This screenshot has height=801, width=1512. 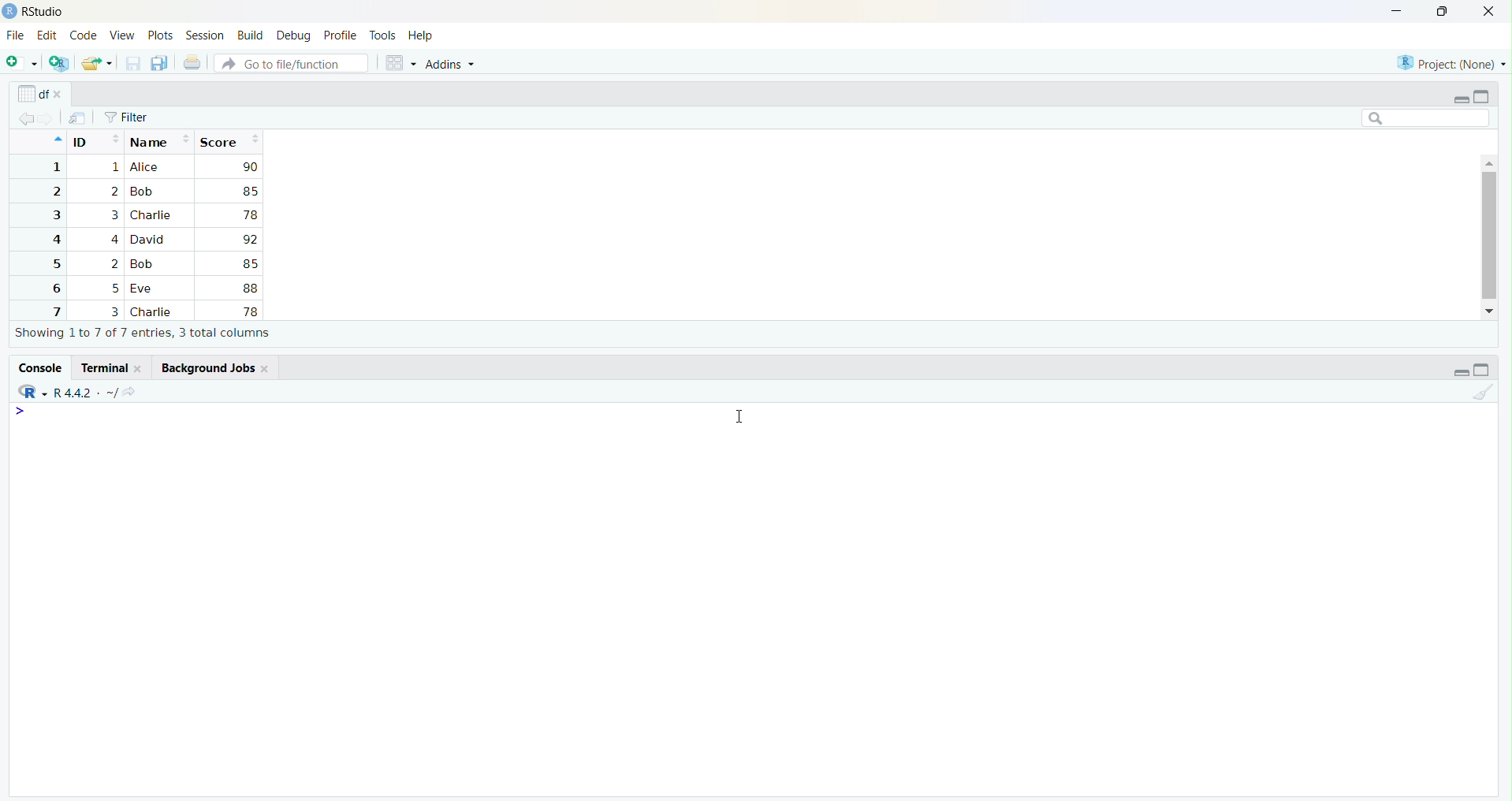 I want to click on File, so click(x=15, y=36).